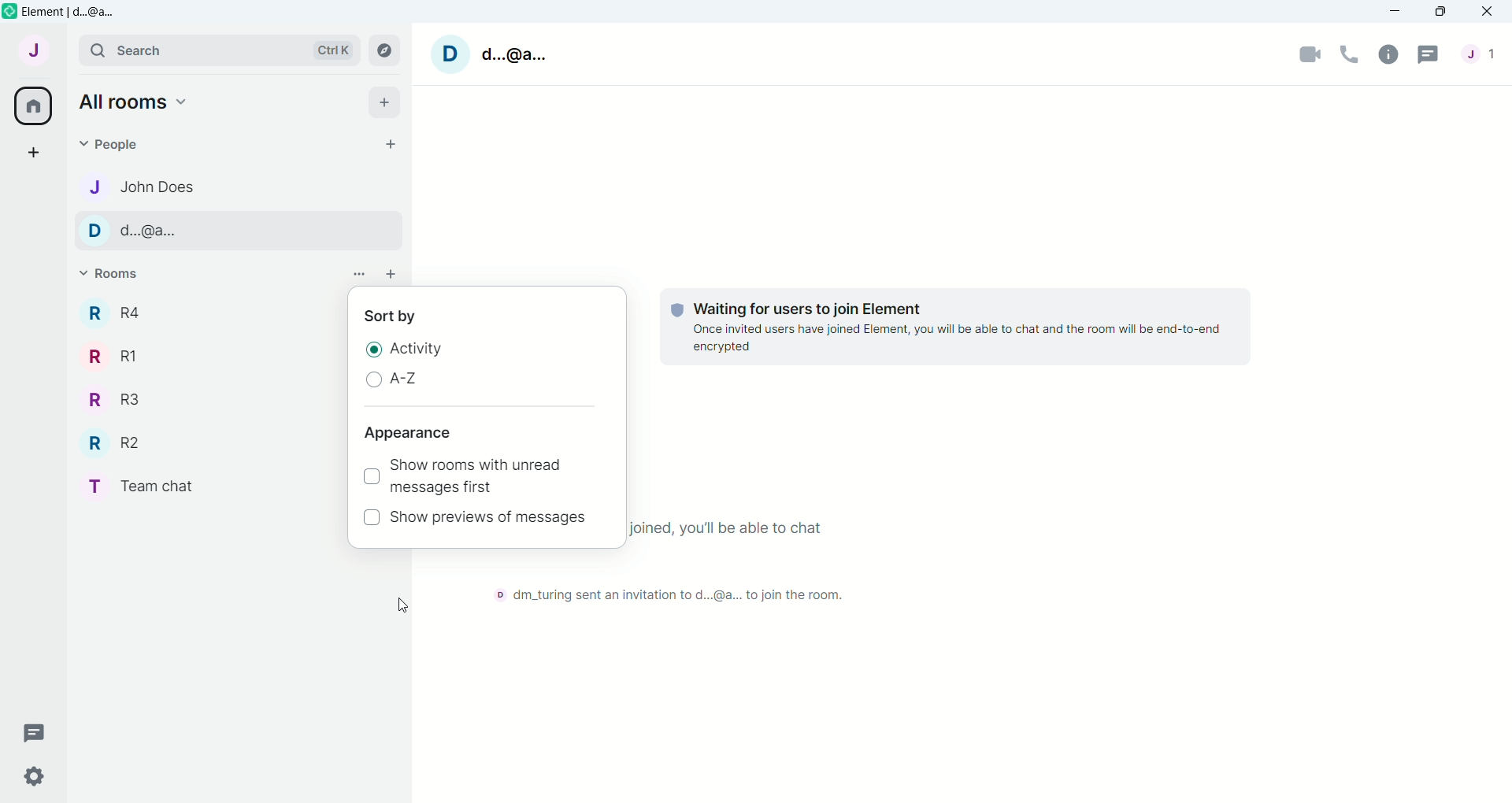 The height and width of the screenshot is (803, 1512). Describe the element at coordinates (35, 778) in the screenshot. I see `Quick Settings` at that location.